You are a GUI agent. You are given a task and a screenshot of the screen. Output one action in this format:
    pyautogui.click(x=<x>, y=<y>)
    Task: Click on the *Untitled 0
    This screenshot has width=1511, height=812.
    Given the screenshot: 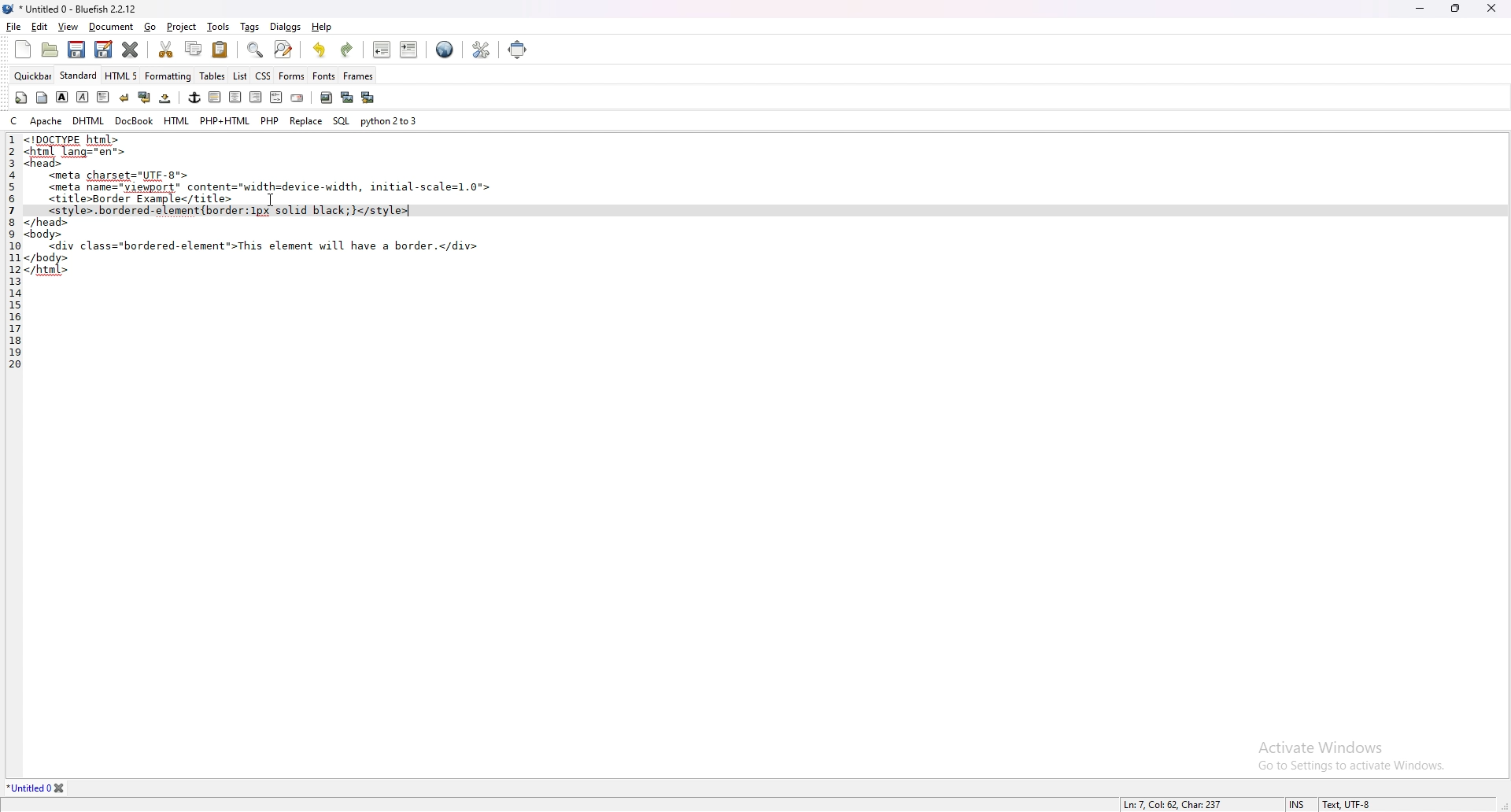 What is the action you would take?
    pyautogui.click(x=38, y=788)
    